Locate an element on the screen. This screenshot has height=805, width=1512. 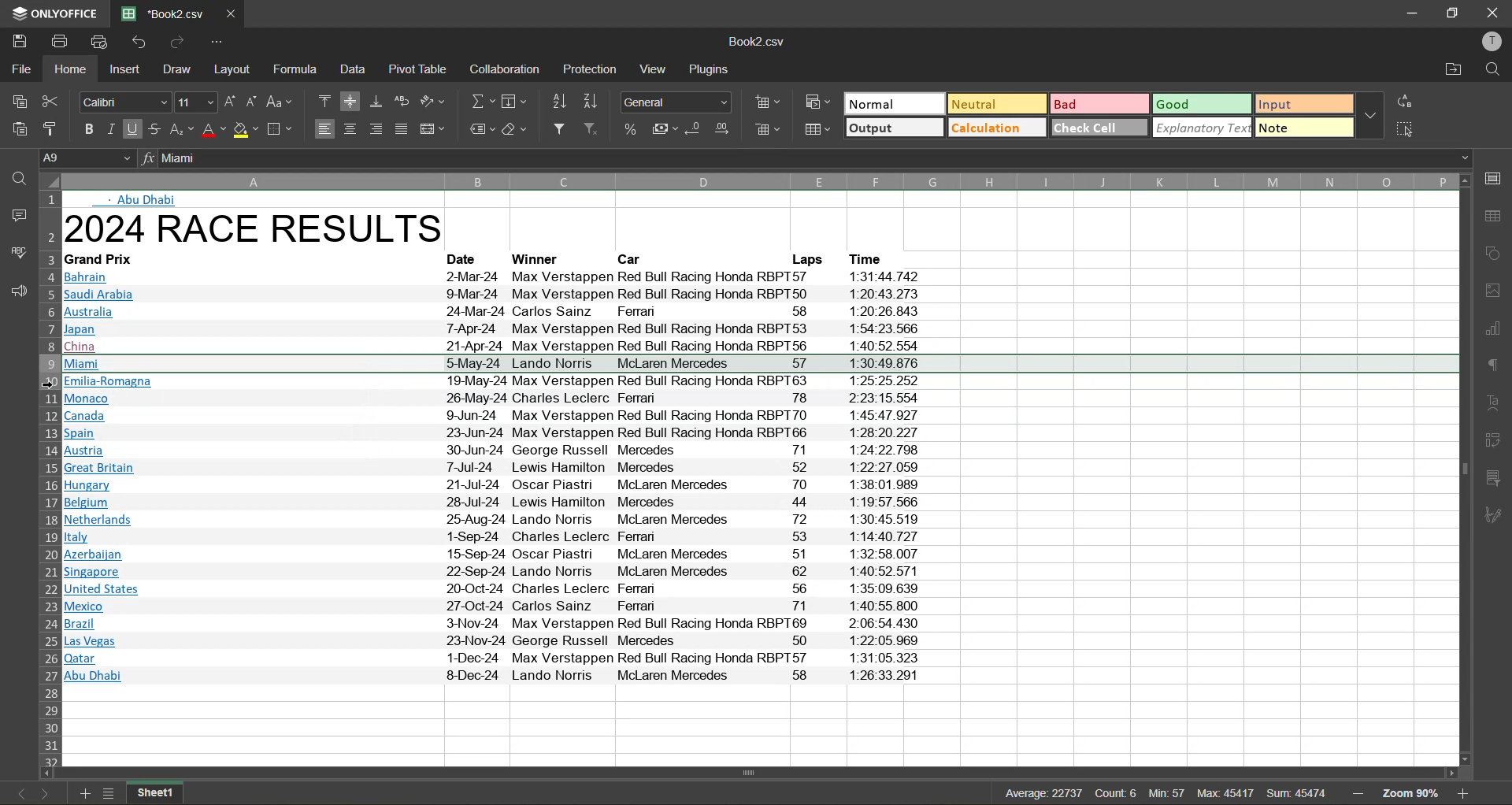
Brazil 33-Nov-24 Max Verstappen Red Bull Racing Honda RBPT69 2:06:54 430 is located at coordinates (493, 623).